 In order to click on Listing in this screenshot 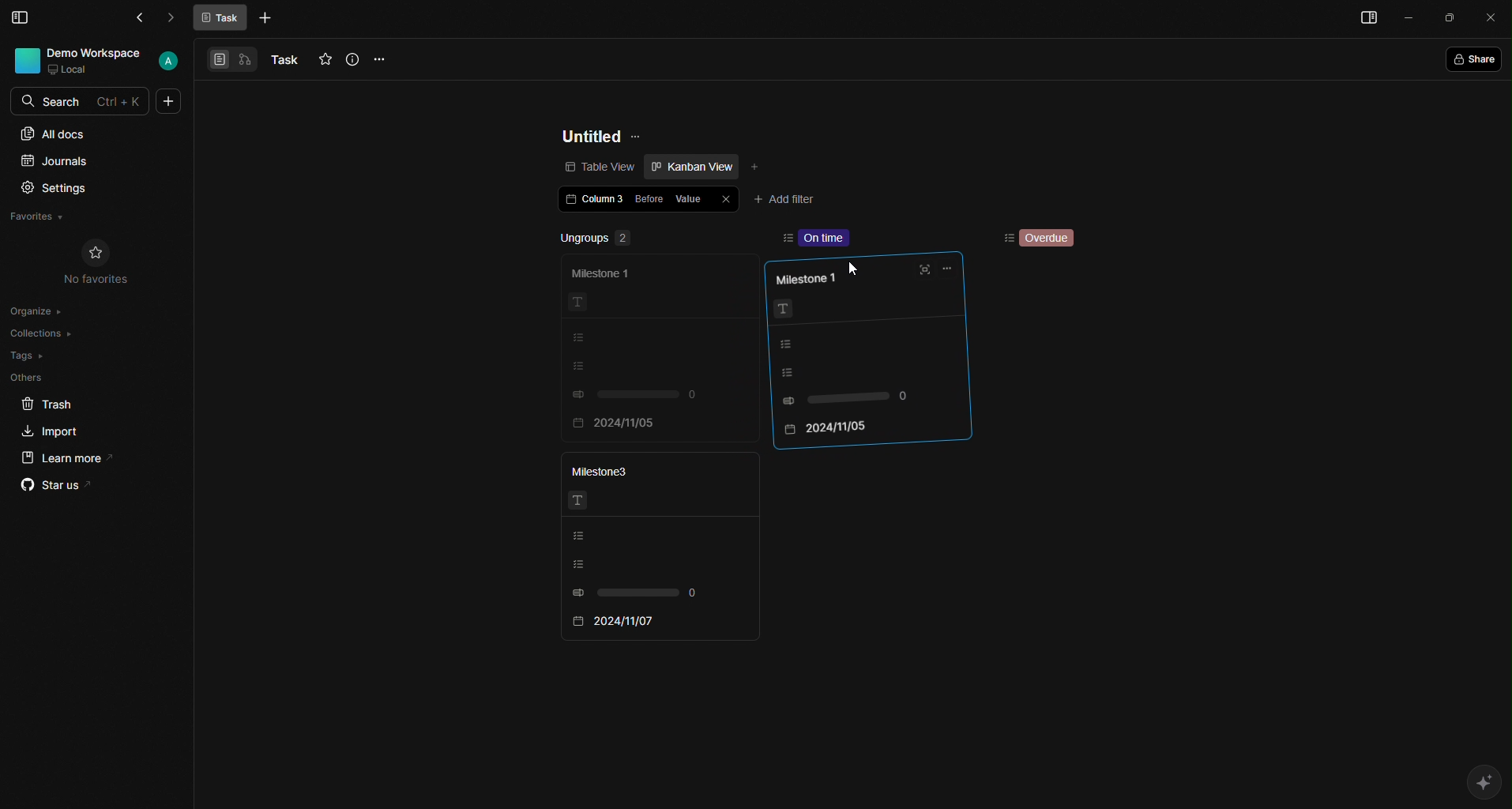, I will do `click(795, 344)`.